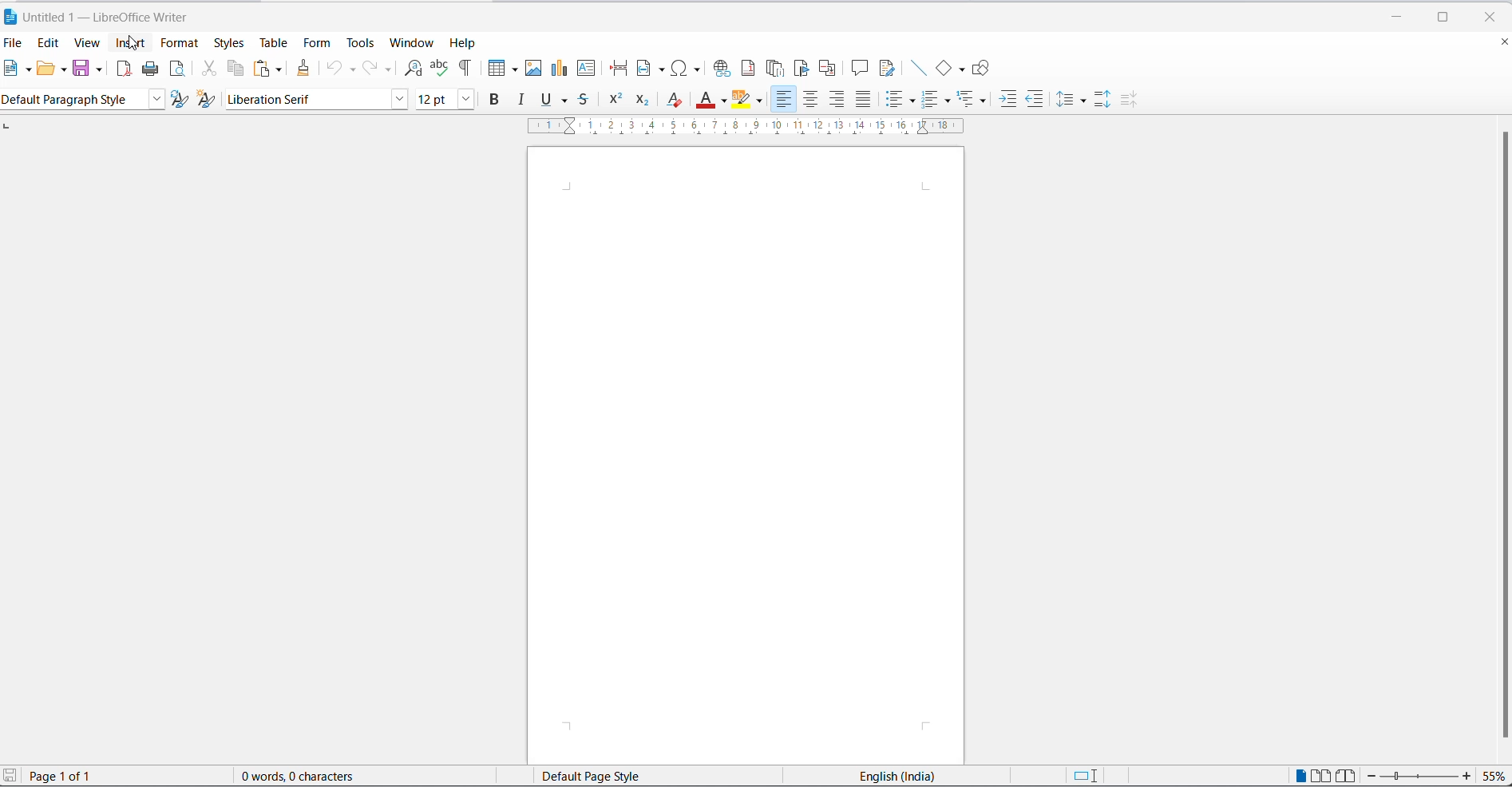  What do you see at coordinates (644, 101) in the screenshot?
I see `subscript` at bounding box center [644, 101].